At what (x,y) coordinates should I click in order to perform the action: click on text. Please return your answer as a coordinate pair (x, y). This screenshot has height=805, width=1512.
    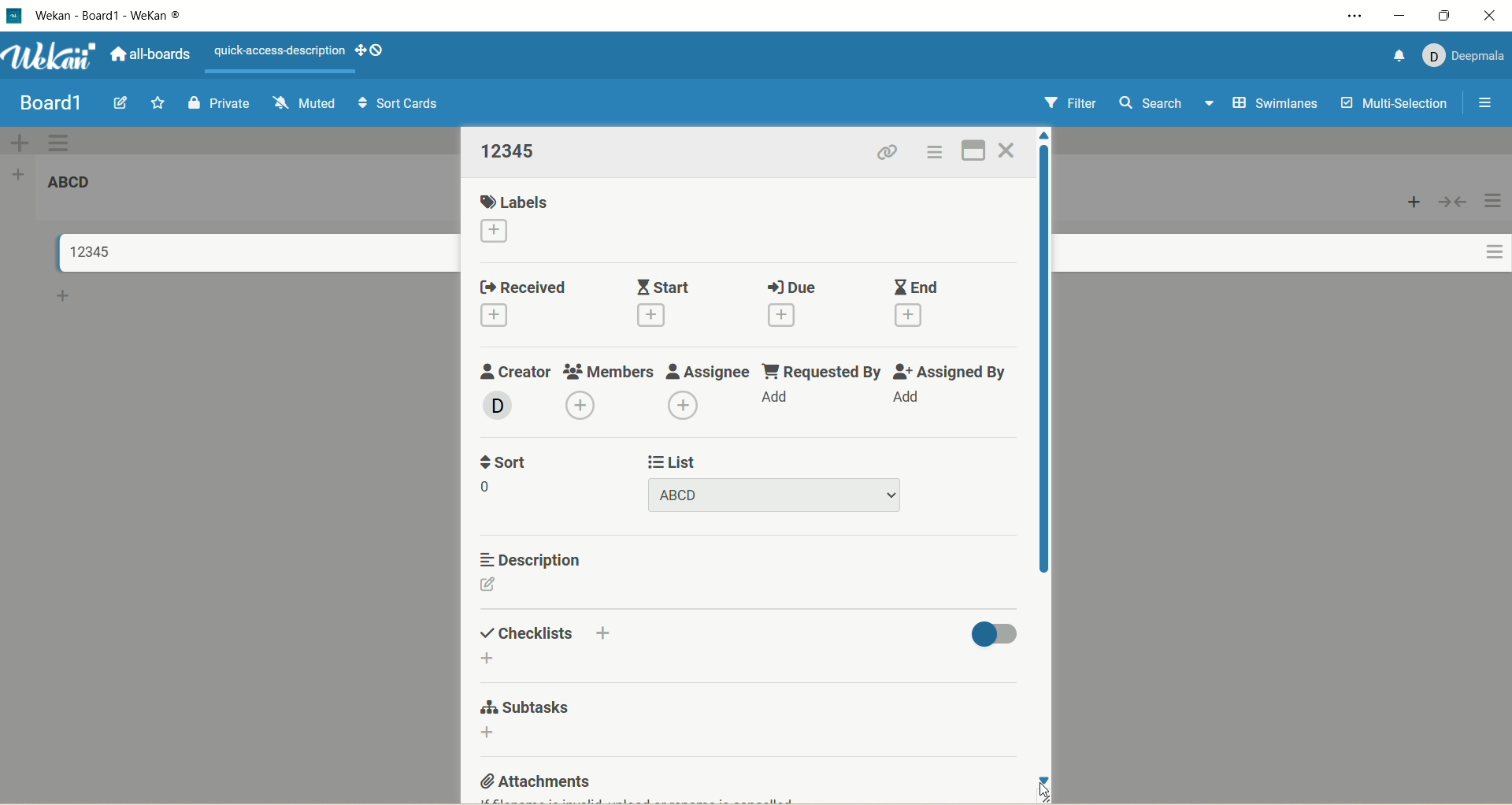
    Looking at the image, I should click on (280, 51).